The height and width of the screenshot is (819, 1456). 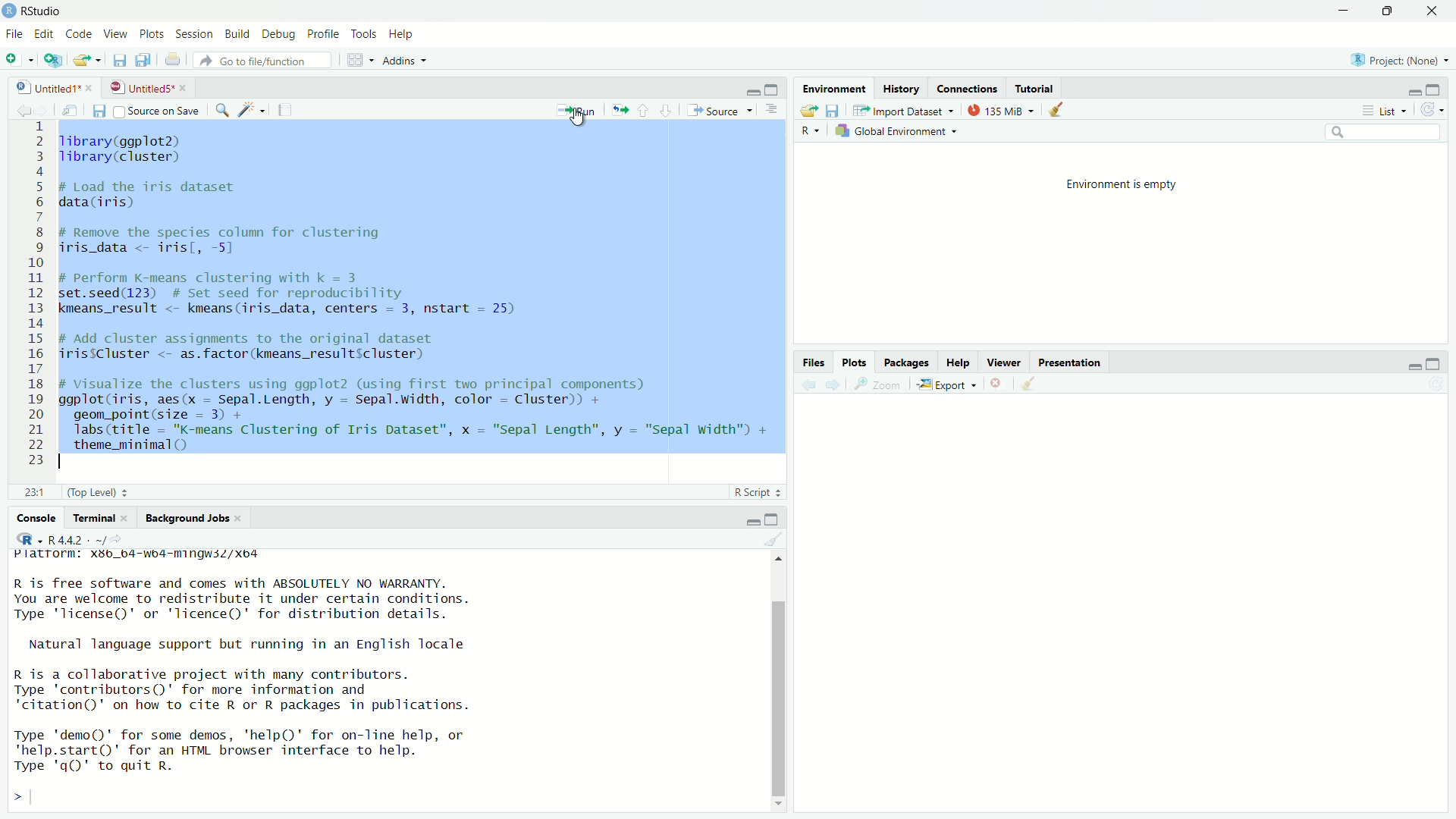 What do you see at coordinates (404, 60) in the screenshot?
I see `addins` at bounding box center [404, 60].